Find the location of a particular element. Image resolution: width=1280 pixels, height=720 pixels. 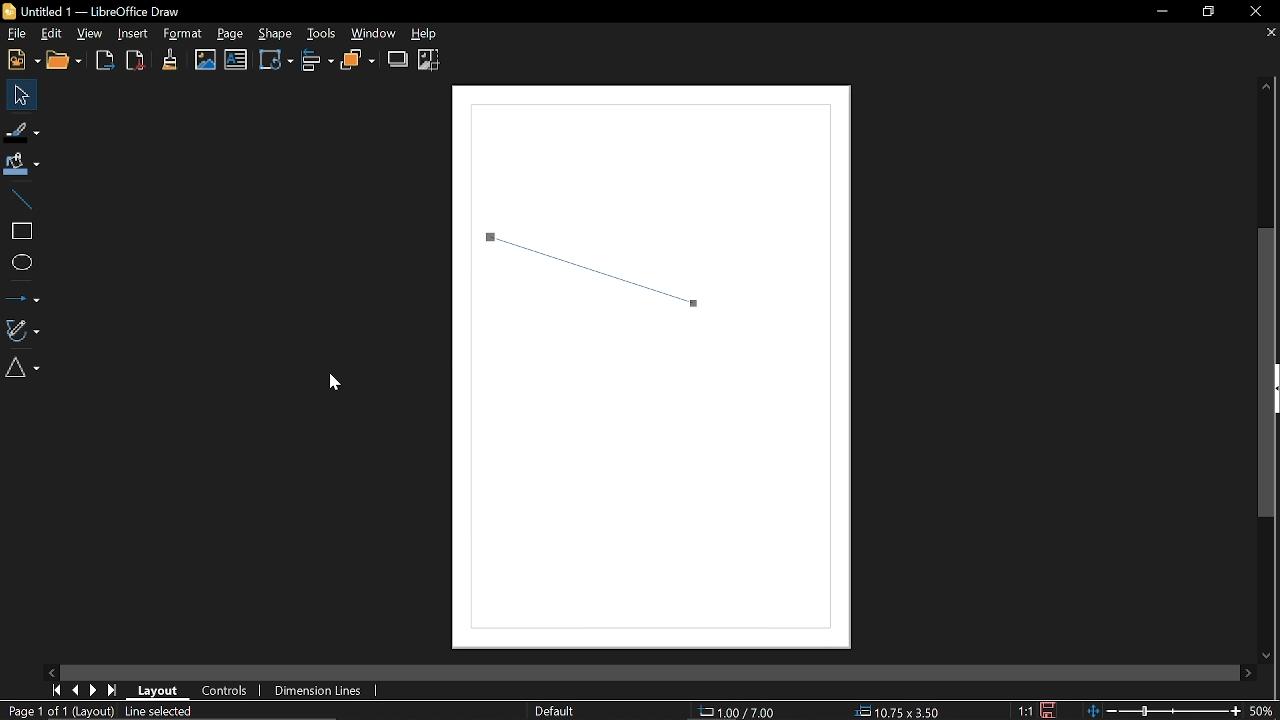

rectangle is located at coordinates (20, 231).